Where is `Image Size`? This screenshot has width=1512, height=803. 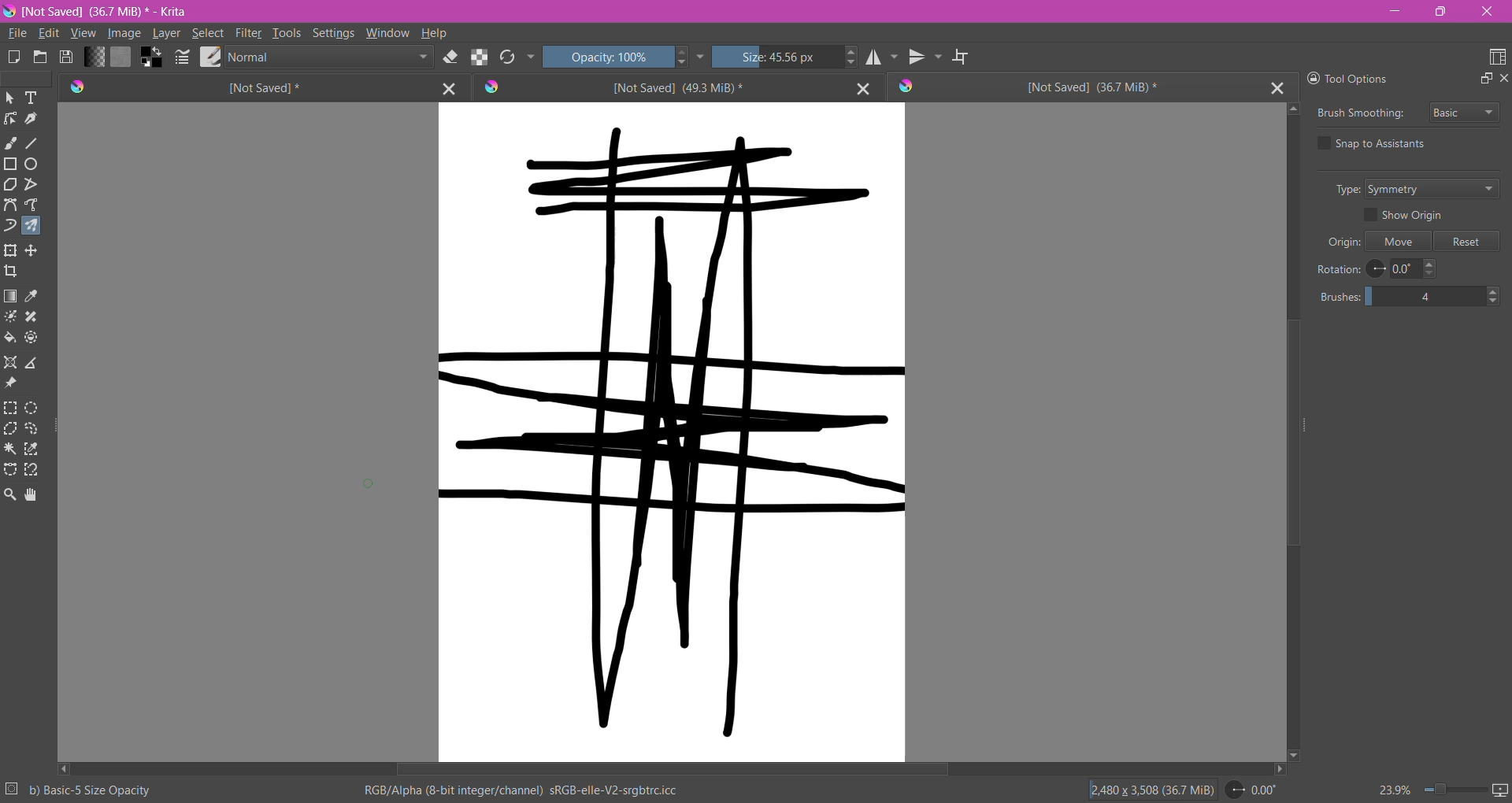 Image Size is located at coordinates (1147, 790).